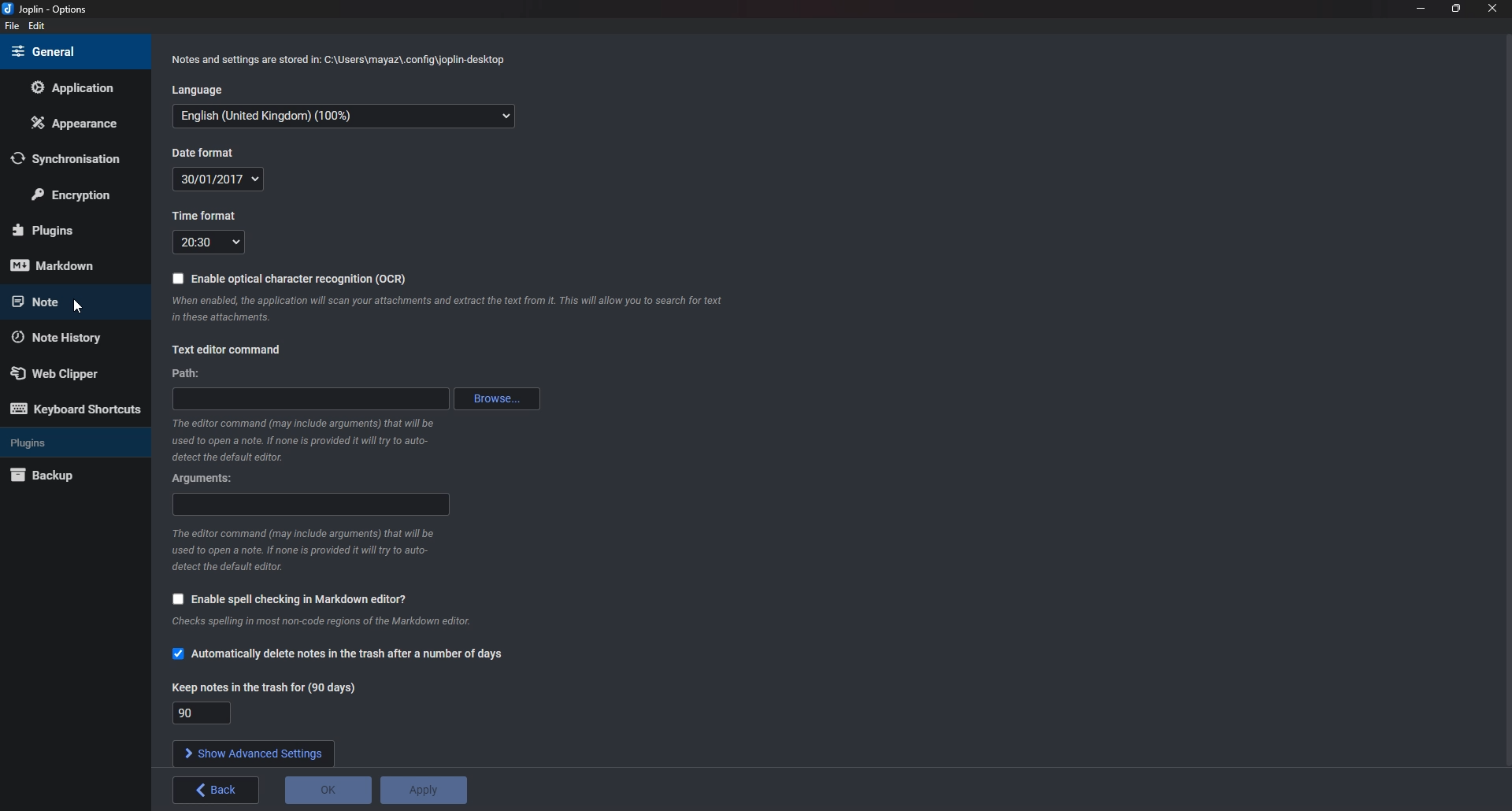 This screenshot has height=811, width=1512. What do you see at coordinates (230, 348) in the screenshot?
I see `Text editor command` at bounding box center [230, 348].